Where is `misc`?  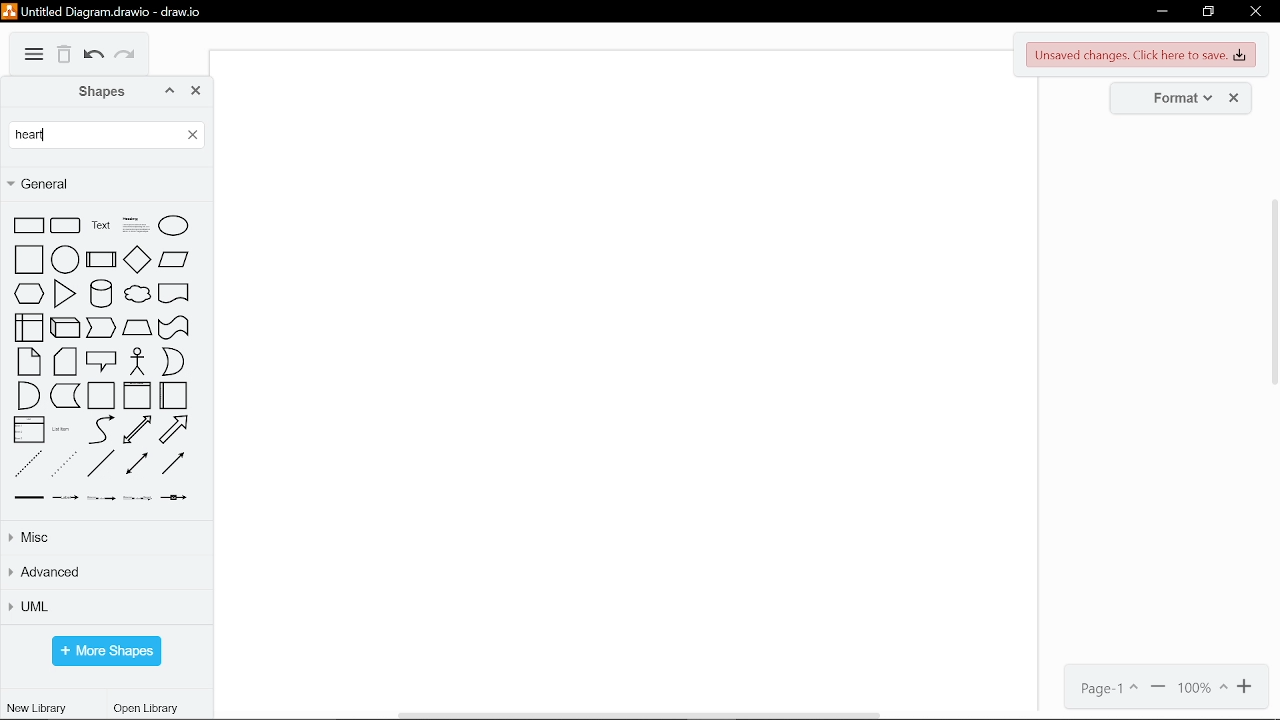
misc is located at coordinates (108, 537).